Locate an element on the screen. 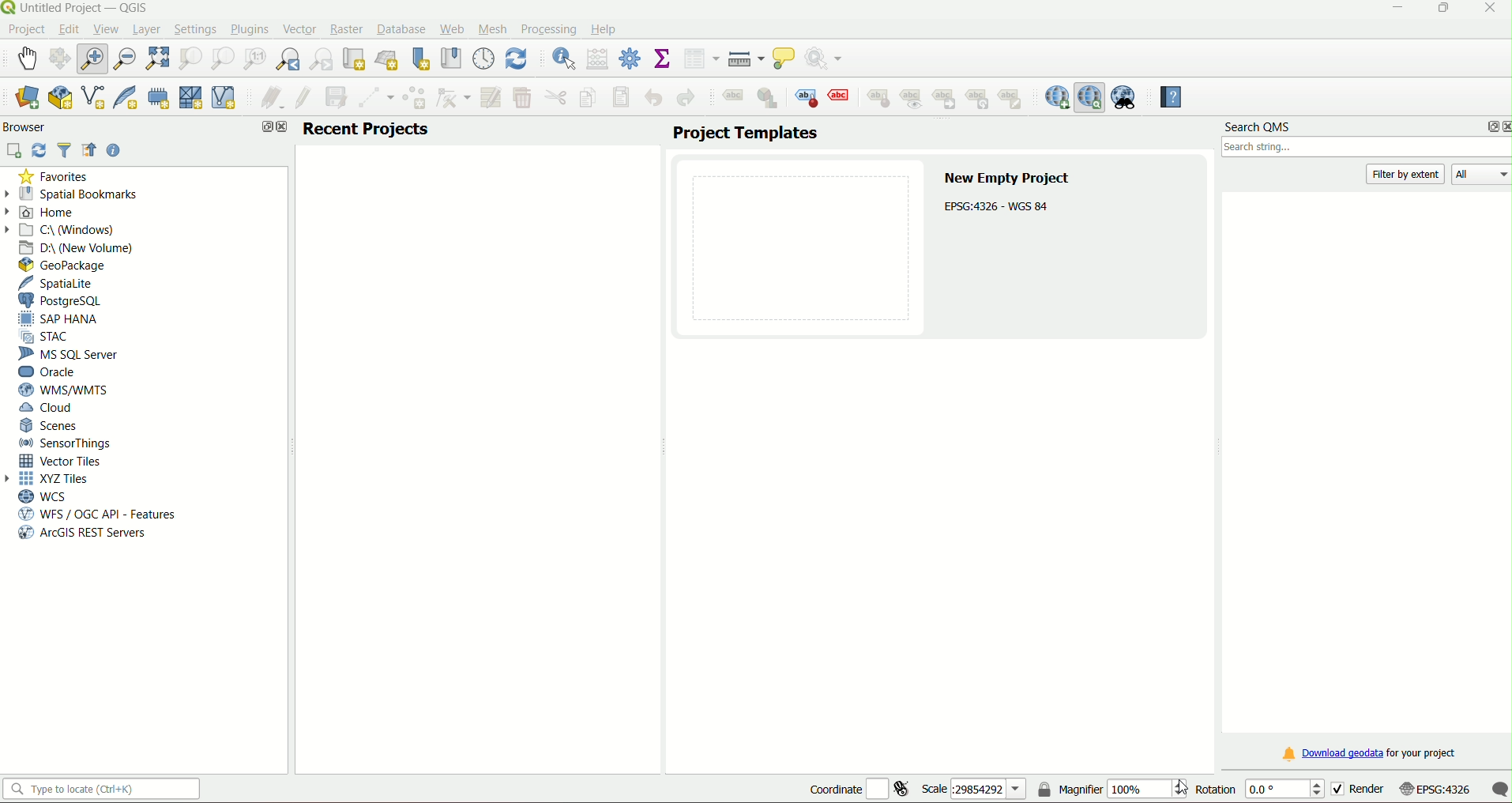 The image size is (1512, 803). measure line is located at coordinates (746, 59).